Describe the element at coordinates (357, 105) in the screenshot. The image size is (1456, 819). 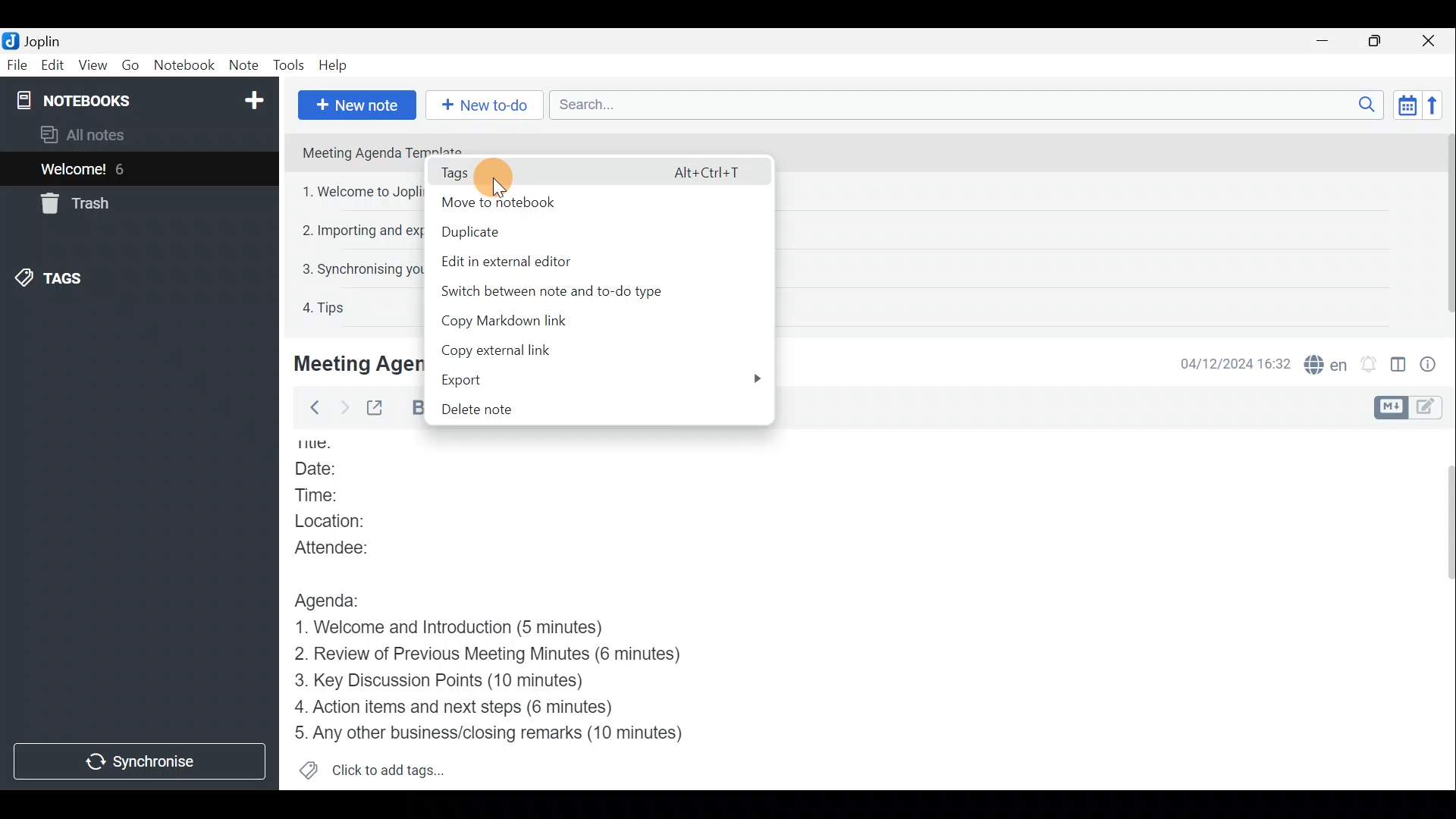
I see `New note` at that location.